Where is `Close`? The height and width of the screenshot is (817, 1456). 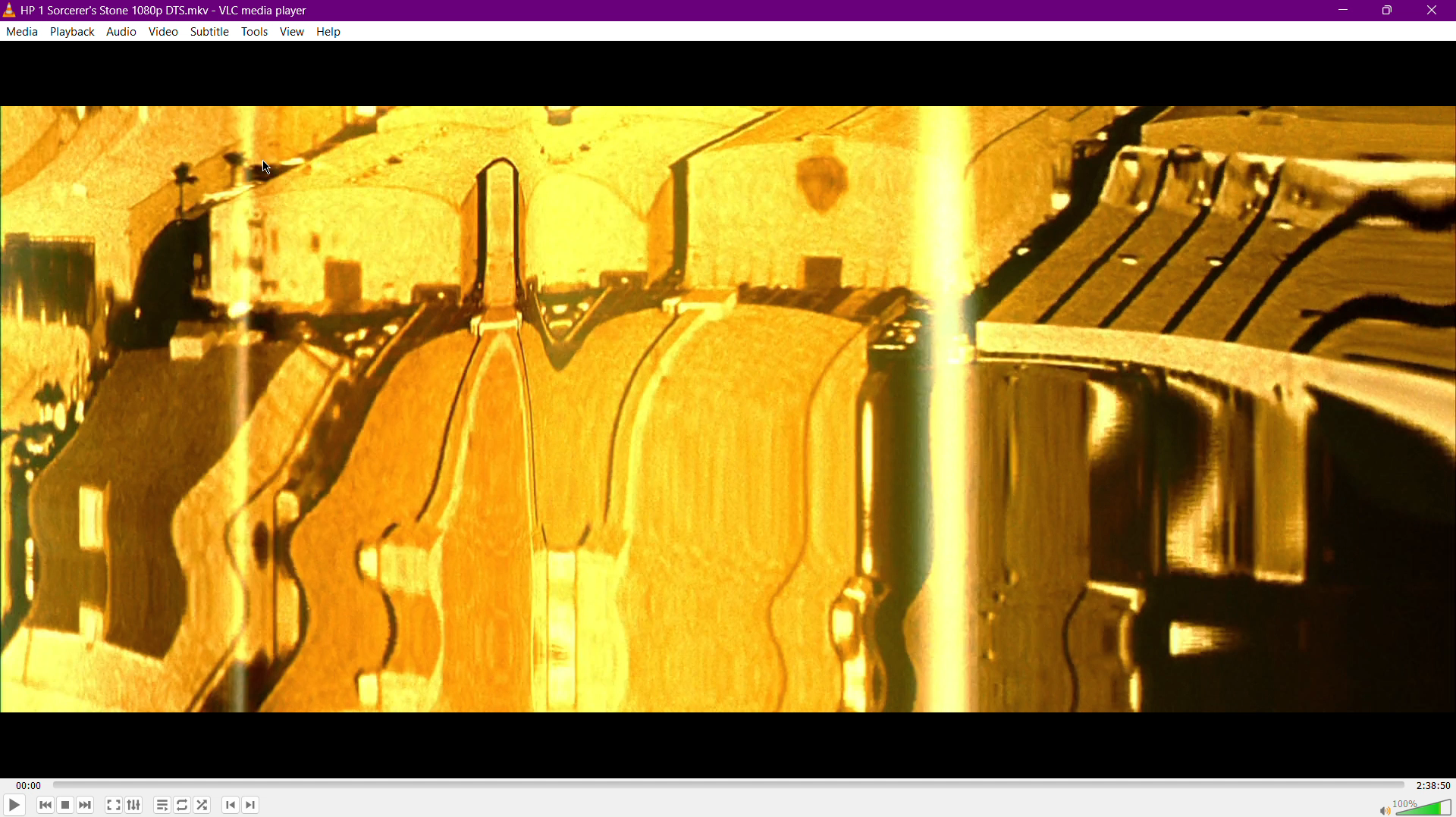 Close is located at coordinates (1433, 10).